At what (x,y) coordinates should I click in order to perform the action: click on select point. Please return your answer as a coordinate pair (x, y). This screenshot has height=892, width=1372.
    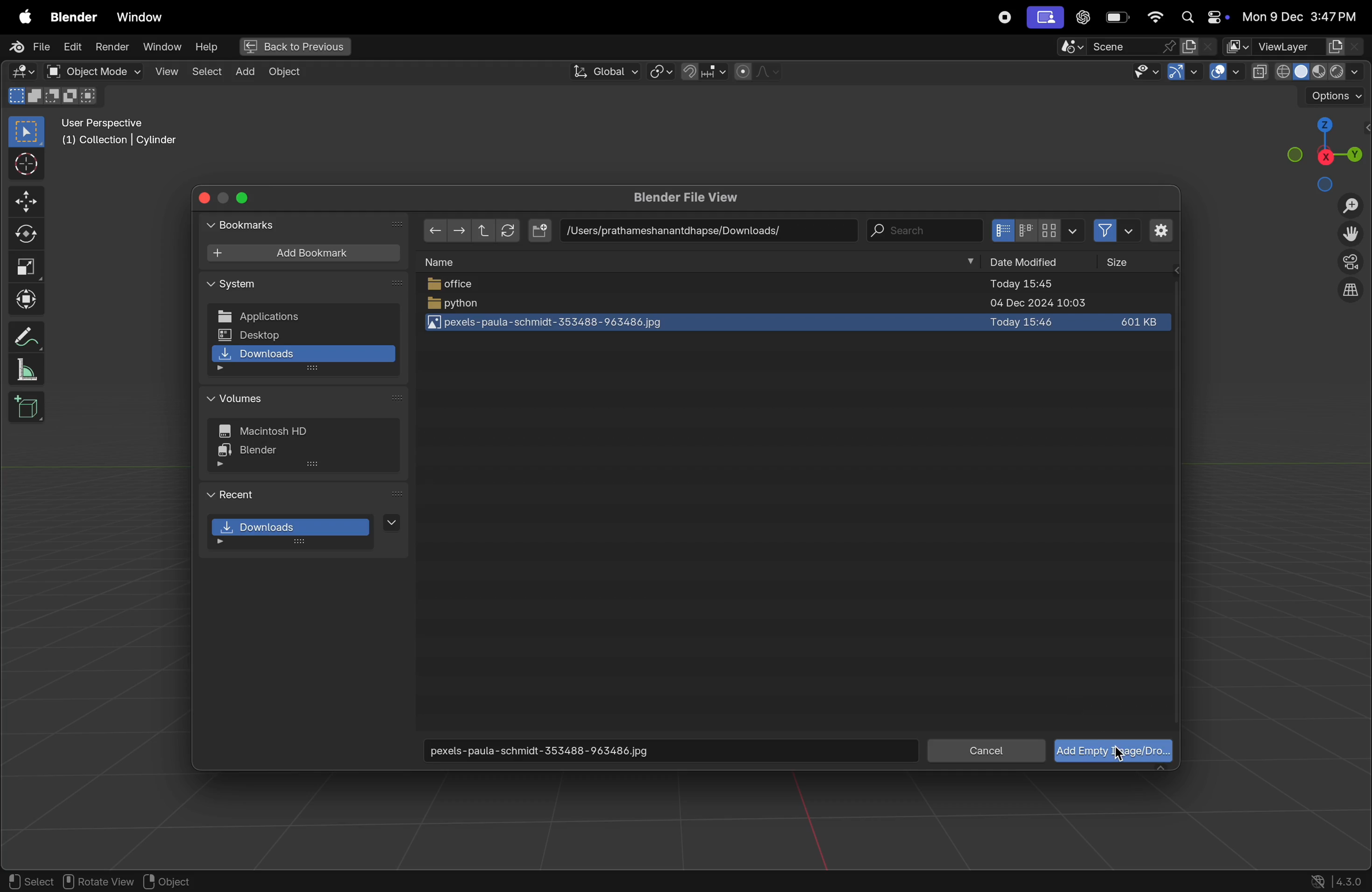
    Looking at the image, I should click on (26, 131).